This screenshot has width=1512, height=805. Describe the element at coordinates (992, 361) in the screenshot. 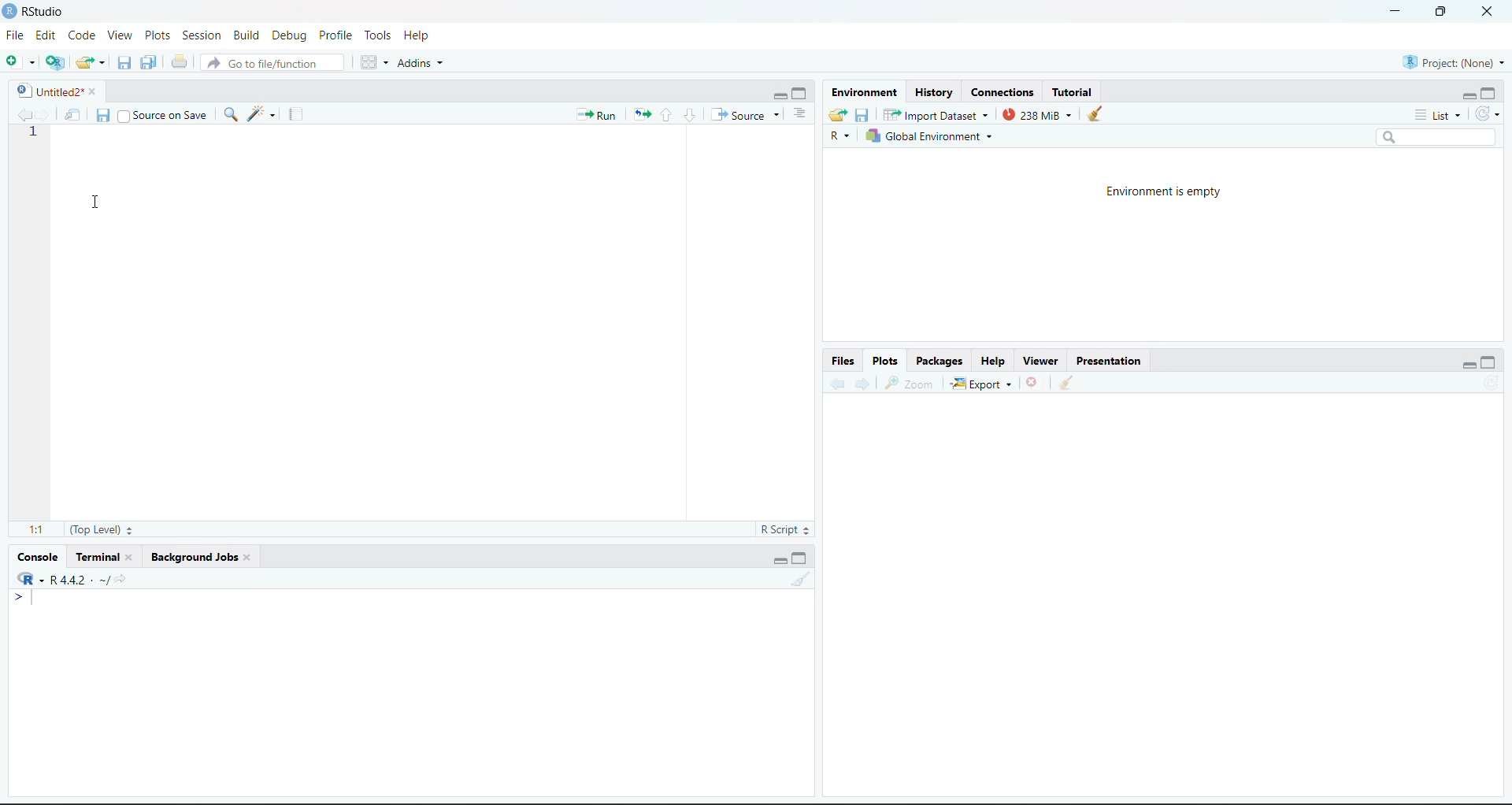

I see `Help` at that location.